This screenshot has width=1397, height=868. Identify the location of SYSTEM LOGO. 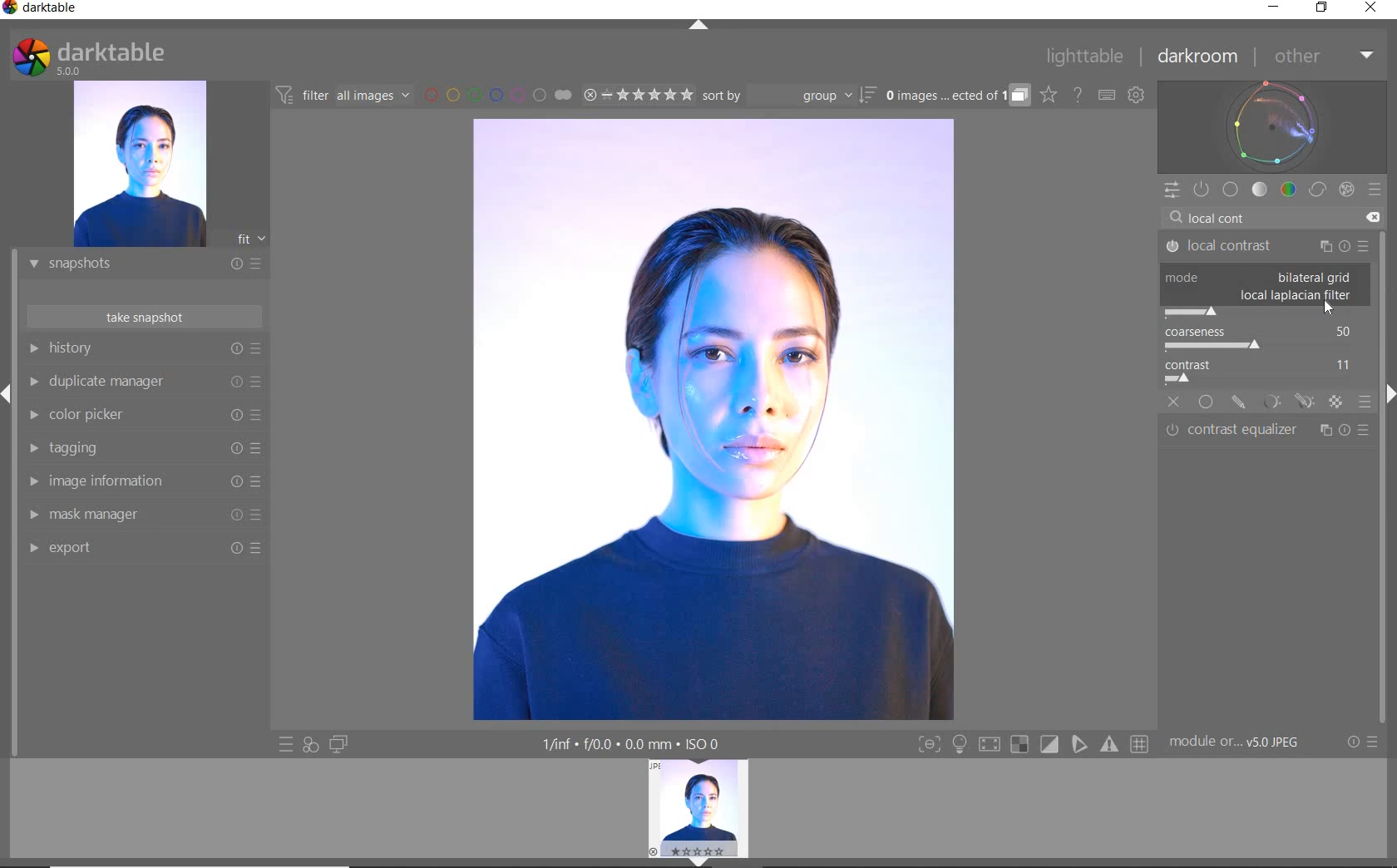
(88, 57).